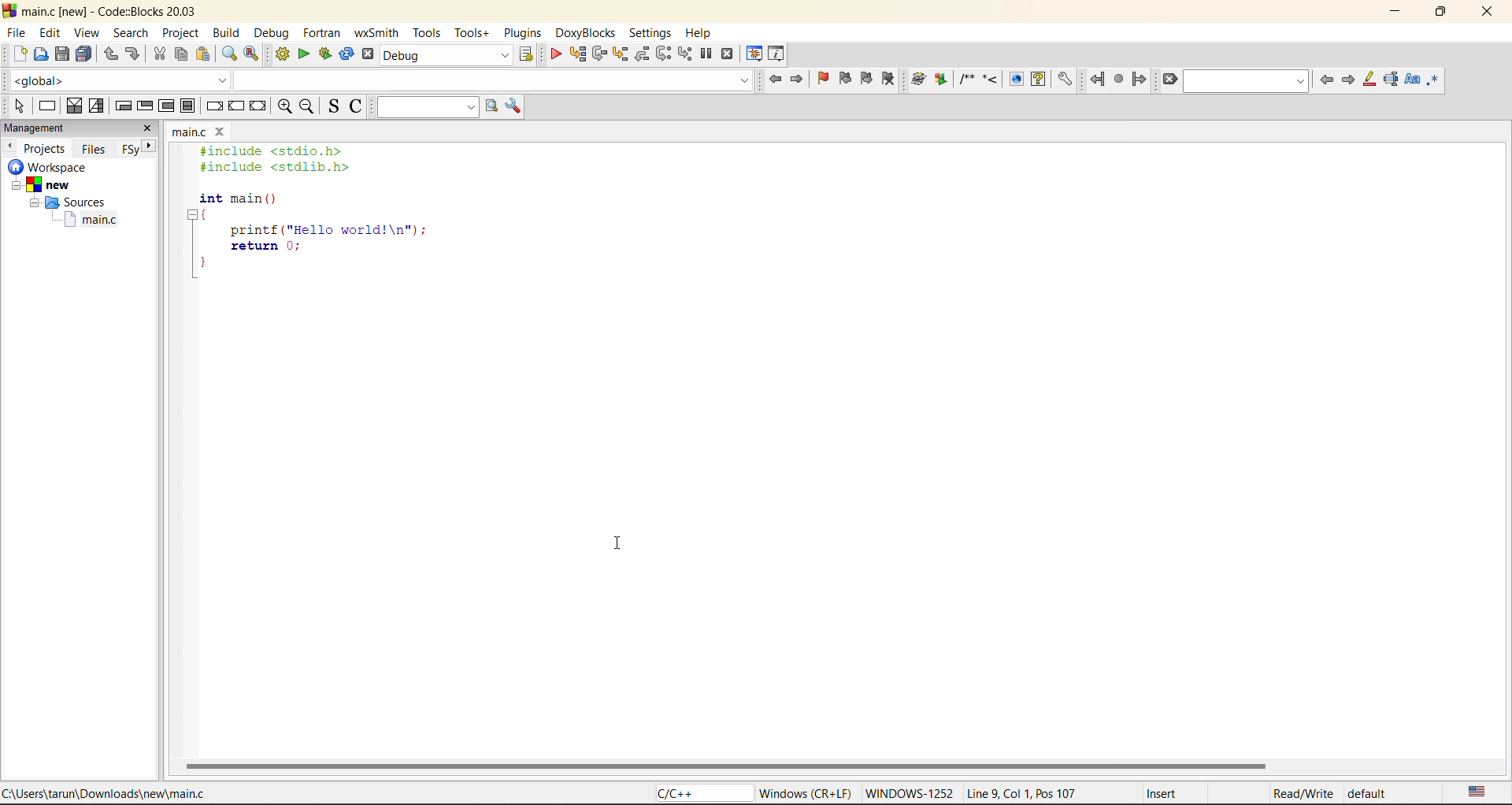 This screenshot has width=1512, height=805. Describe the element at coordinates (891, 81) in the screenshot. I see `clear bookmark` at that location.